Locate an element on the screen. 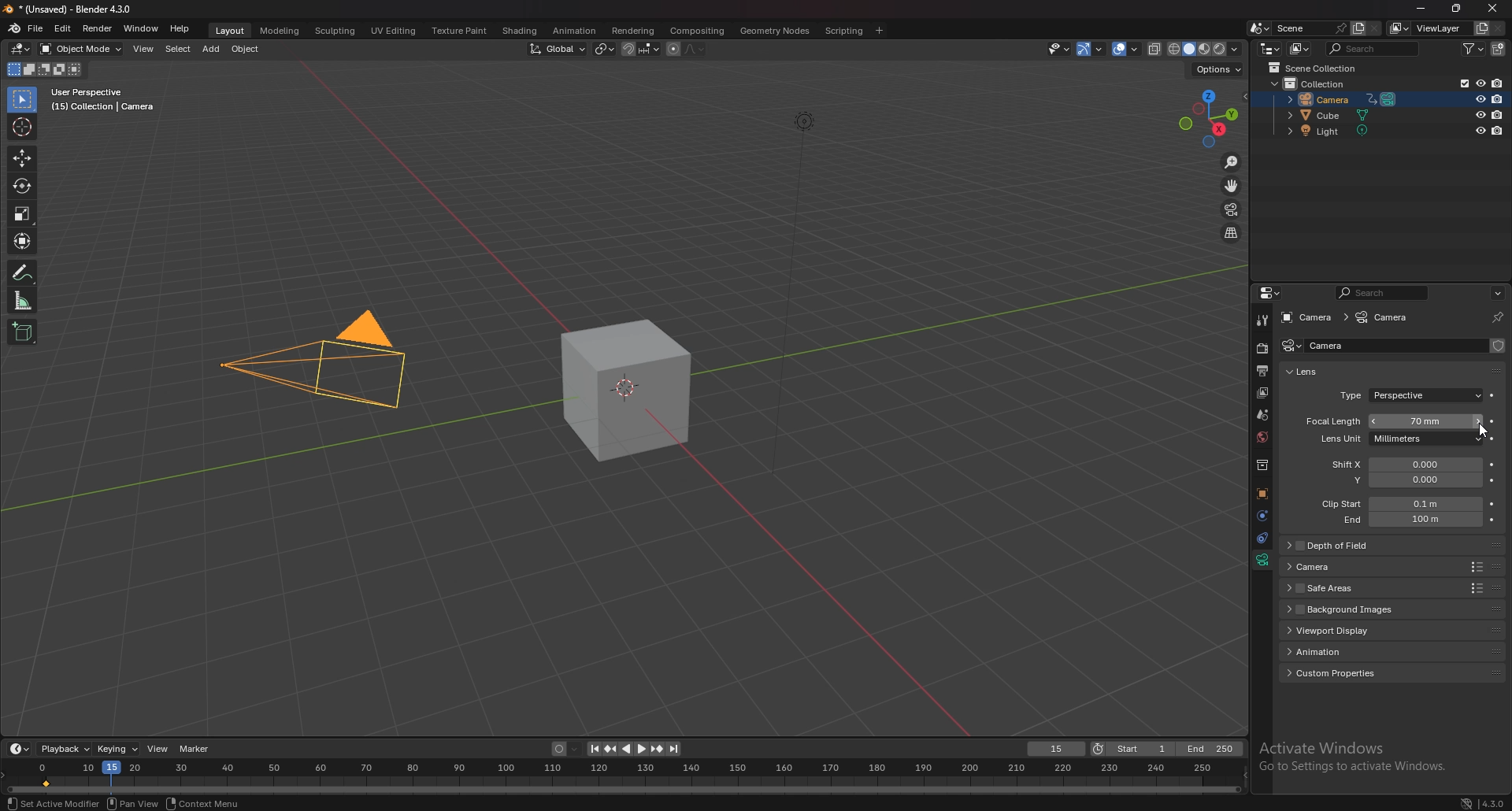   is located at coordinates (202, 803).